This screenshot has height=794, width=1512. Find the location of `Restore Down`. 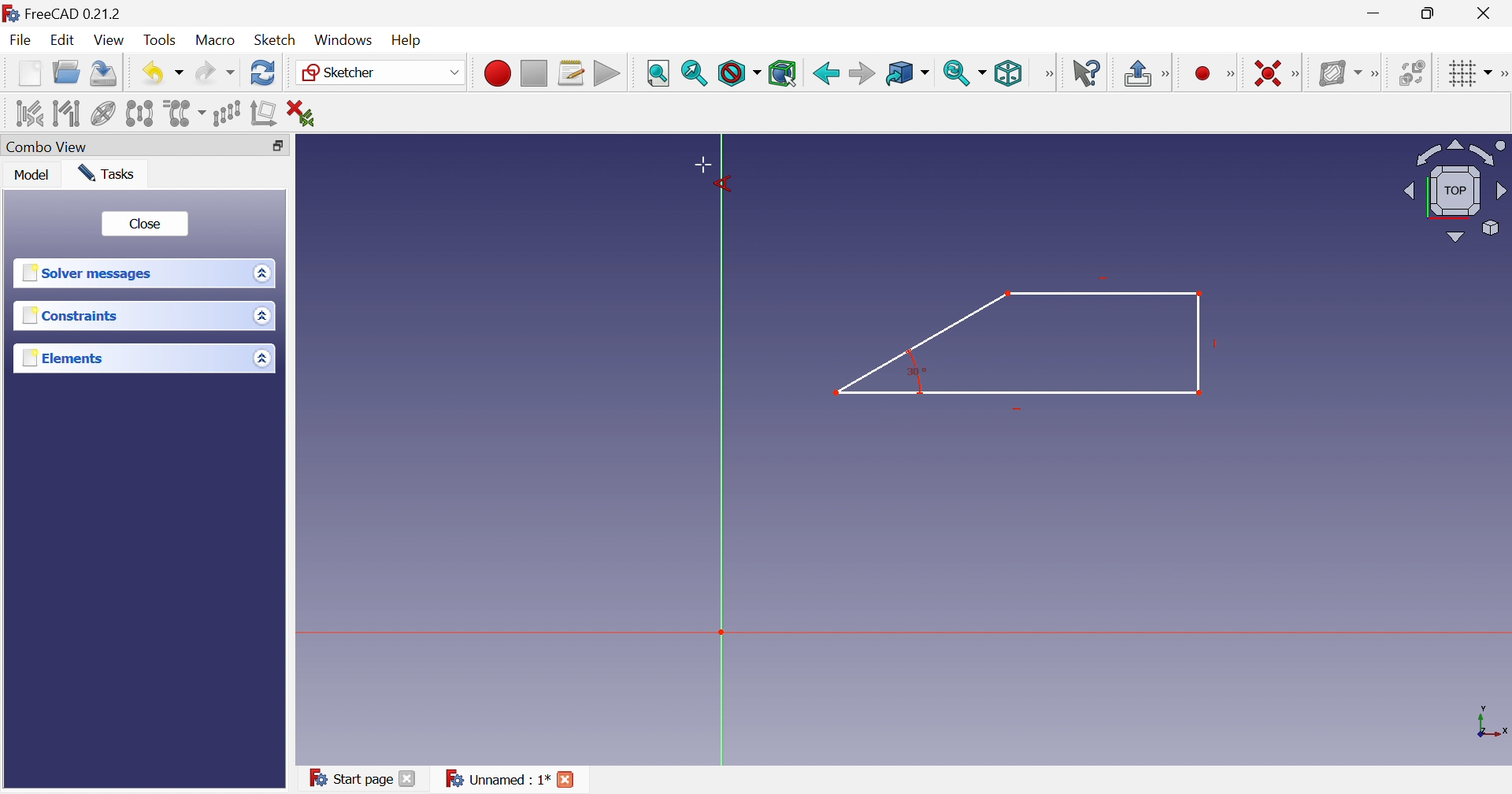

Restore Down is located at coordinates (1430, 13).